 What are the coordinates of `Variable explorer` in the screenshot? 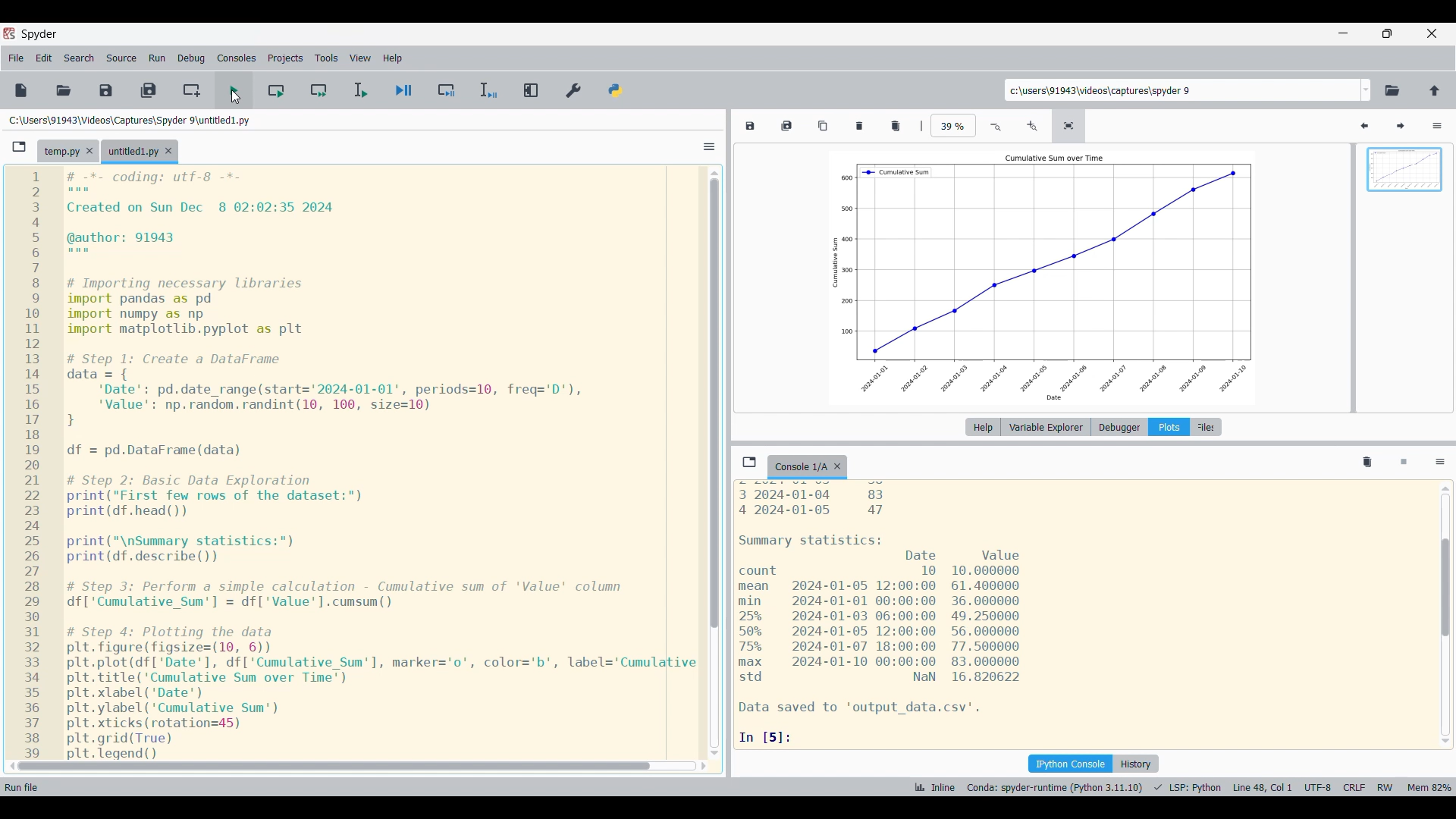 It's located at (1045, 427).